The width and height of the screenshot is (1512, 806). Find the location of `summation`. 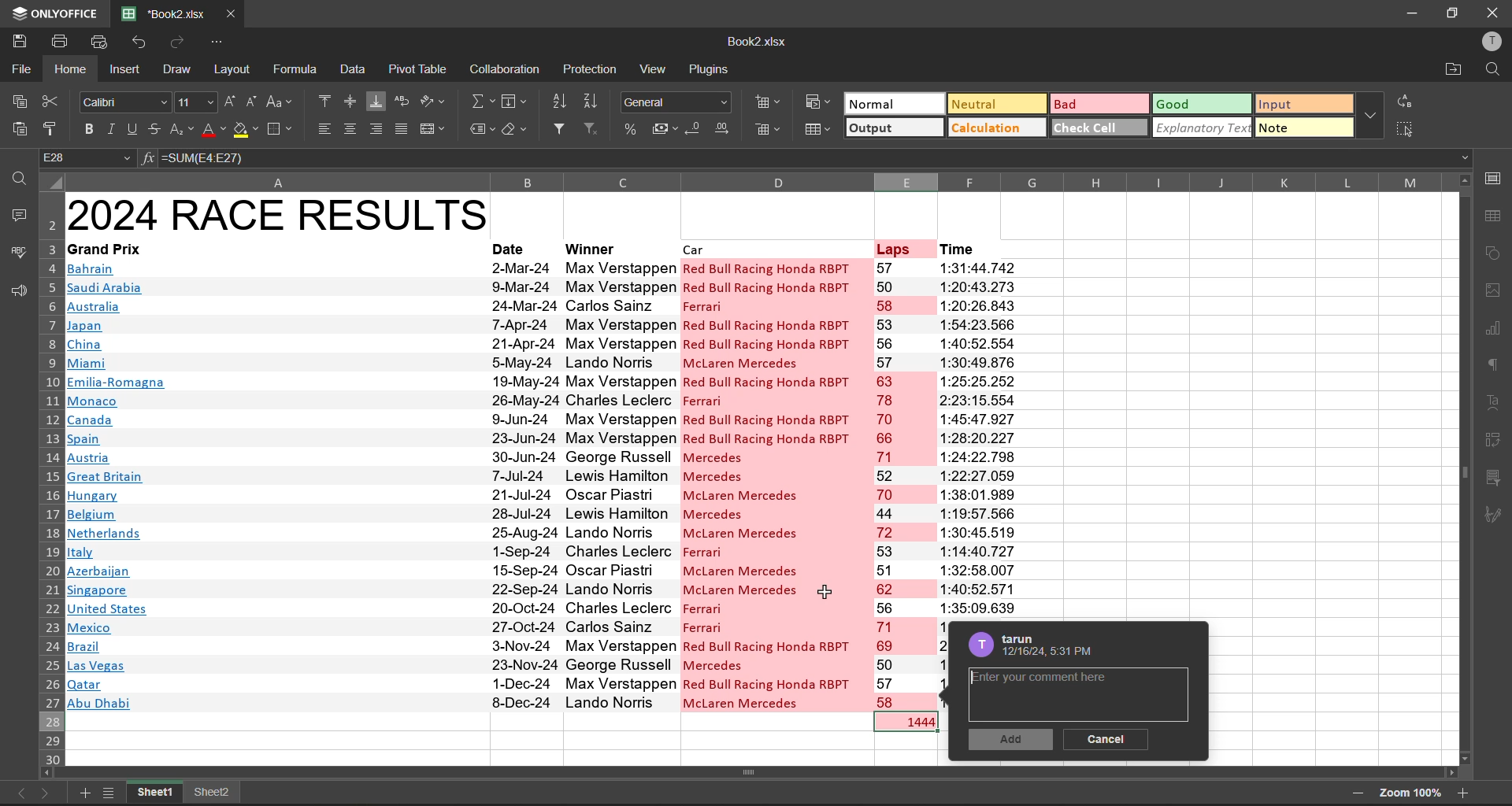

summation is located at coordinates (482, 102).